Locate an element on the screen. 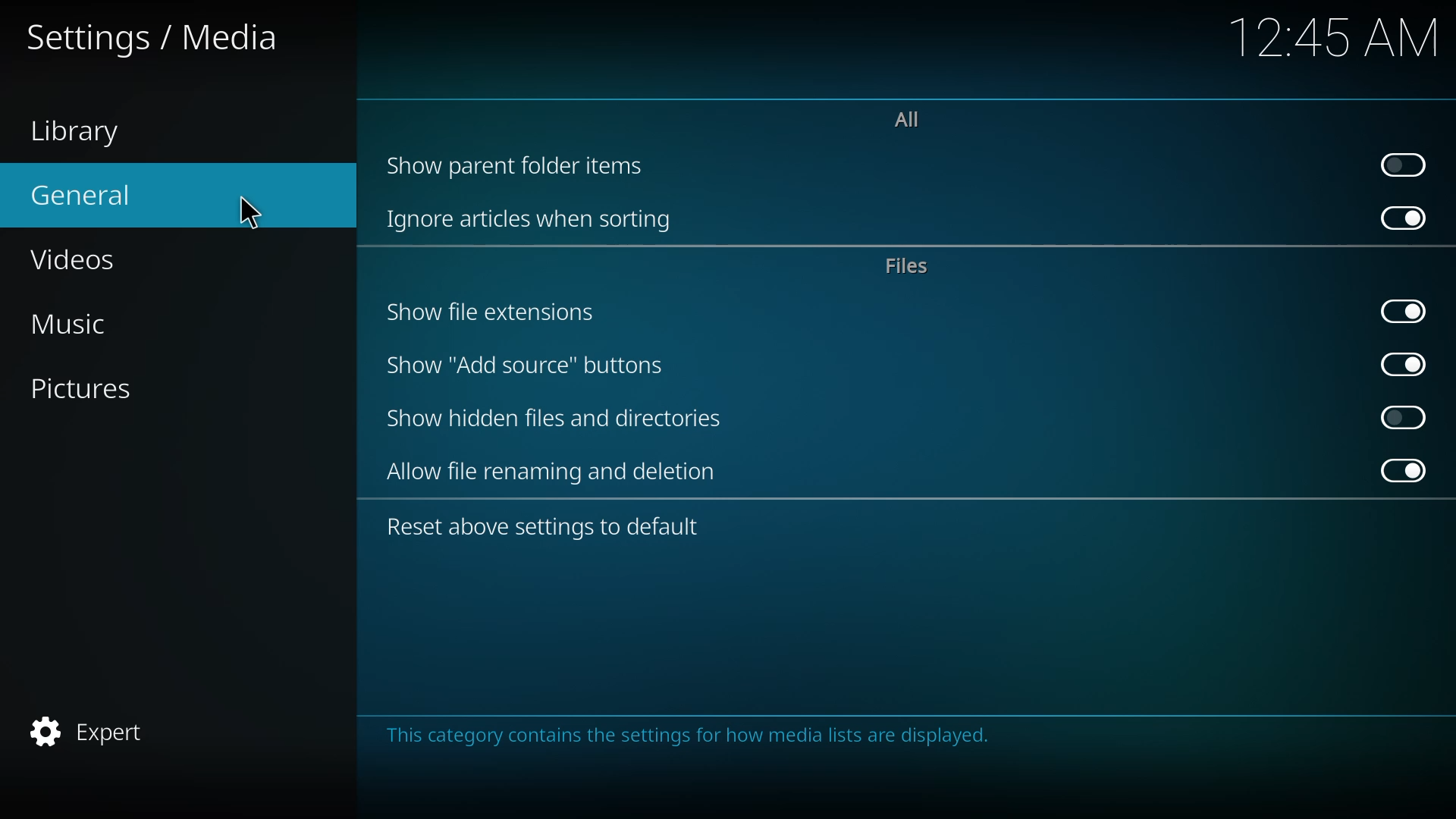 Image resolution: width=1456 pixels, height=819 pixels. click to enable is located at coordinates (1403, 416).